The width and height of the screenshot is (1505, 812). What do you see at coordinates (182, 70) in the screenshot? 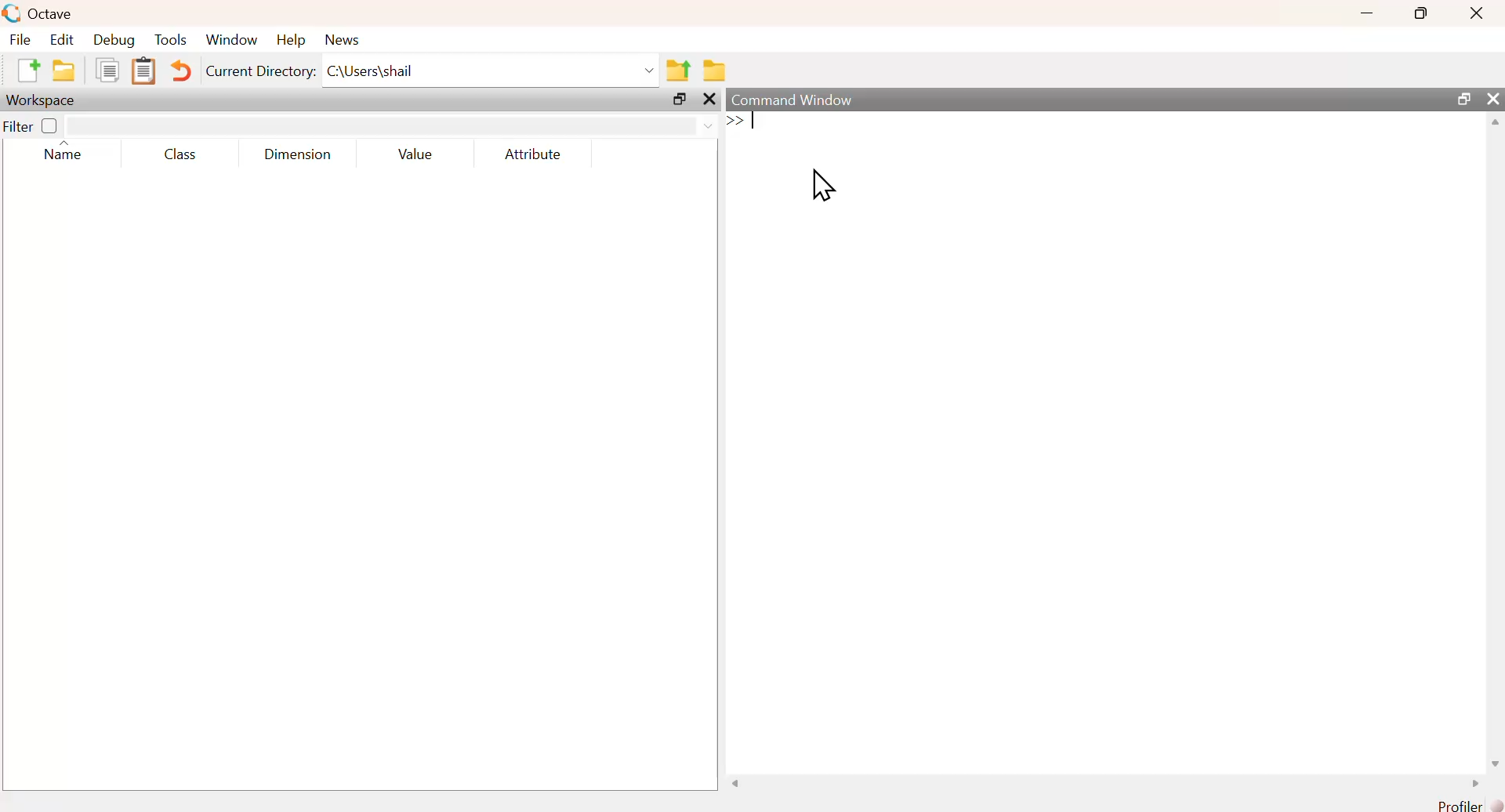
I see `Undo` at bounding box center [182, 70].